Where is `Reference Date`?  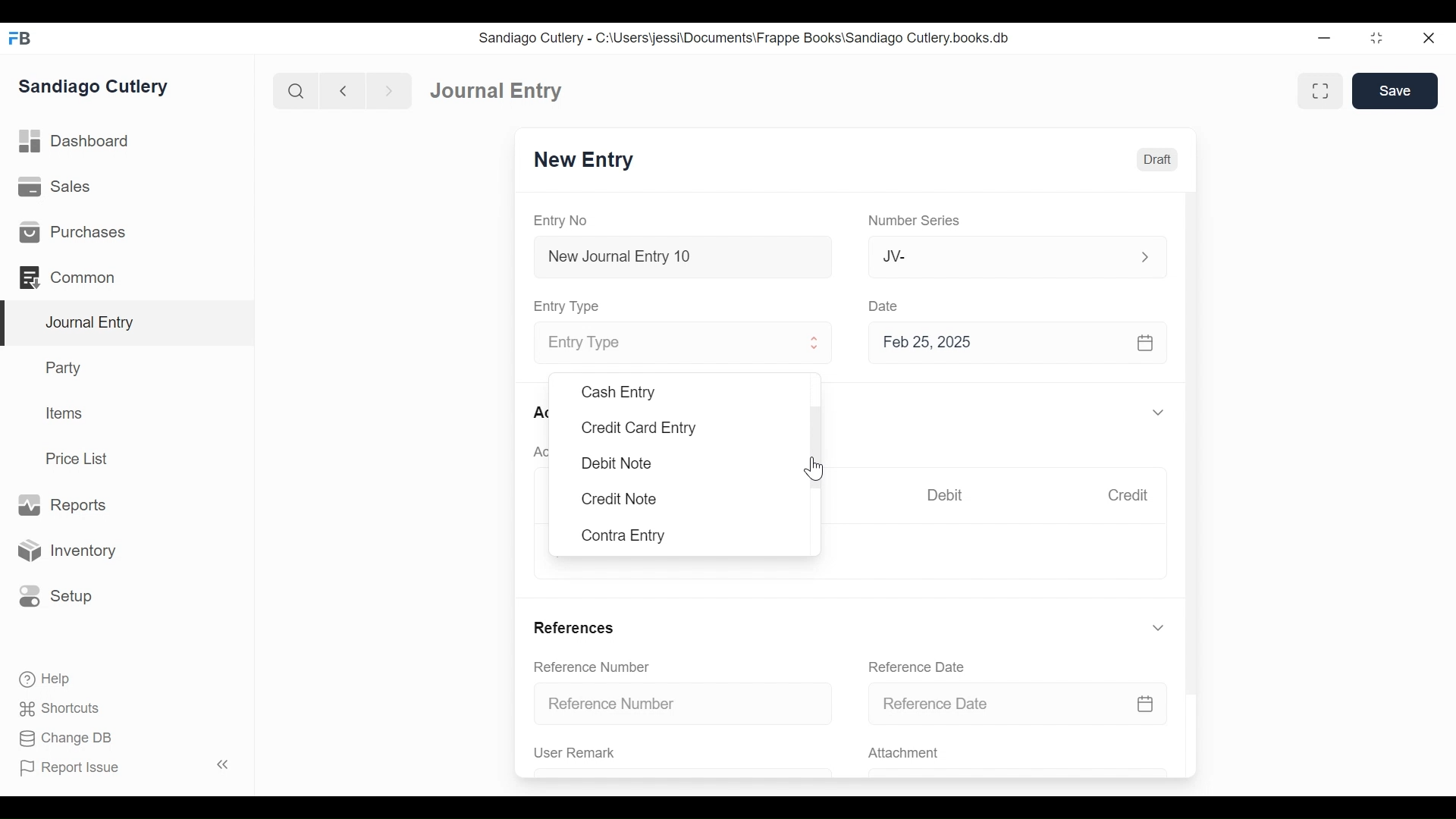
Reference Date is located at coordinates (921, 667).